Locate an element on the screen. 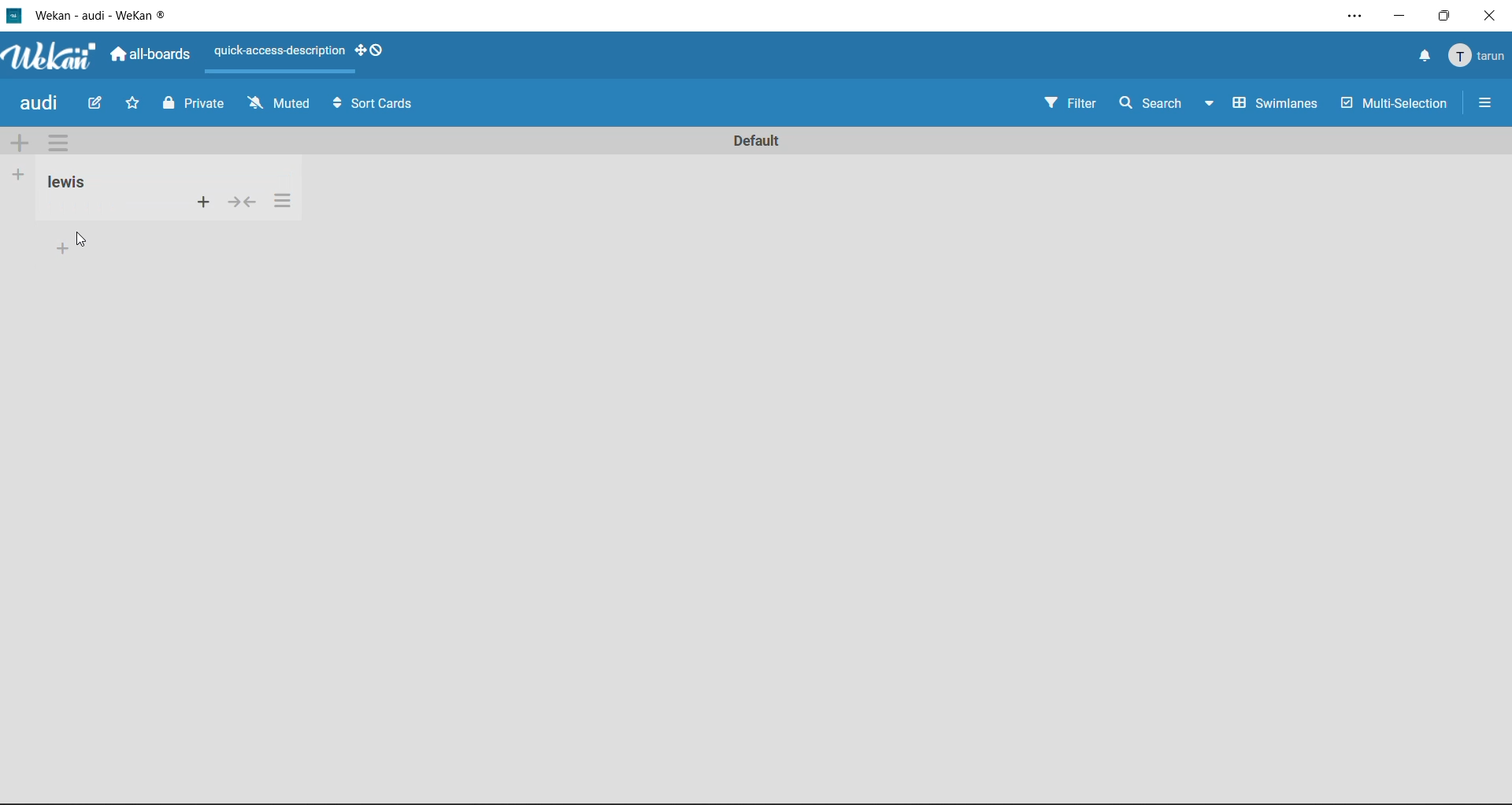  filter is located at coordinates (1066, 103).